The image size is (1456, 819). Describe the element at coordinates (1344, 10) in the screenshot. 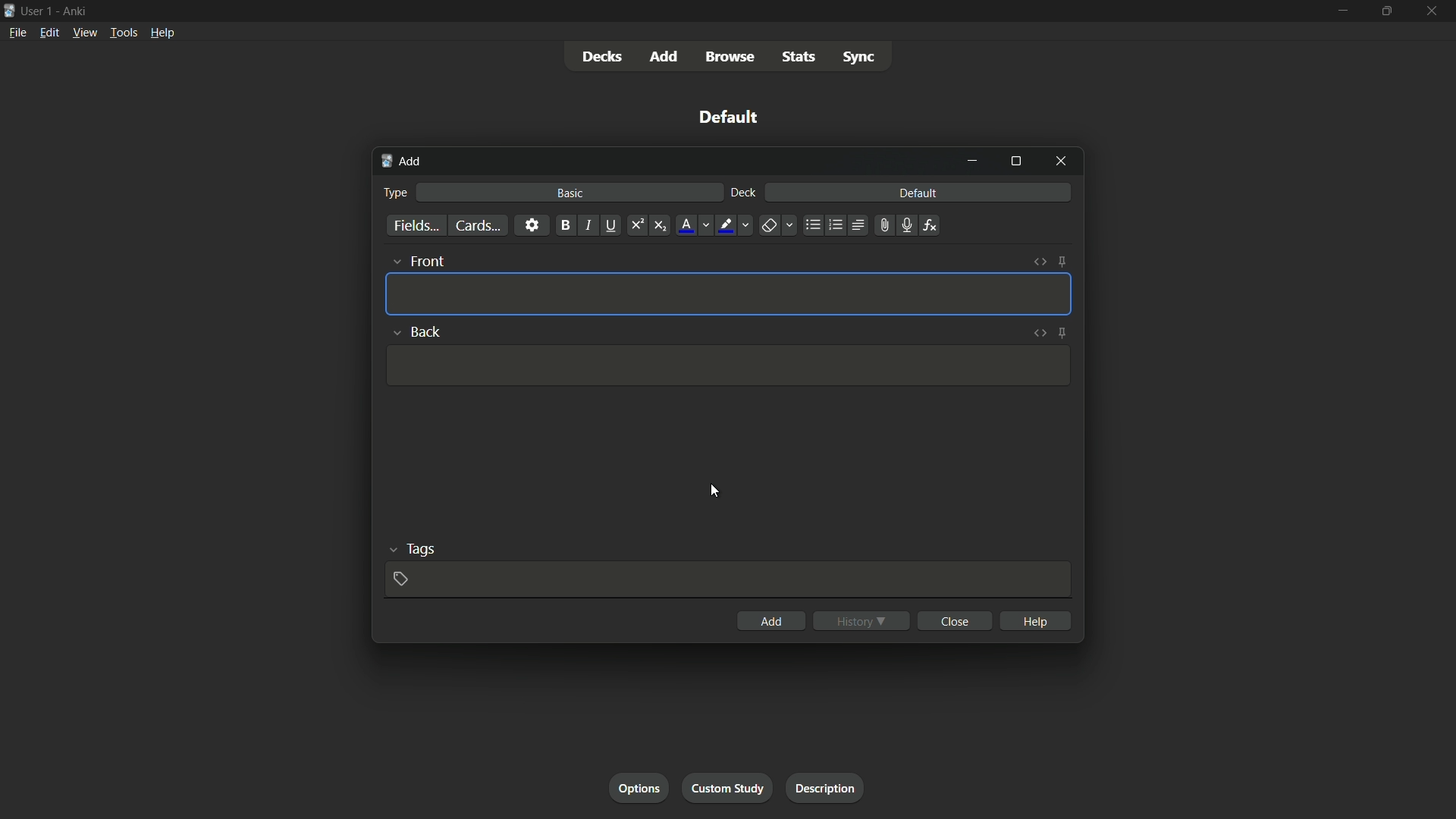

I see `minimize` at that location.